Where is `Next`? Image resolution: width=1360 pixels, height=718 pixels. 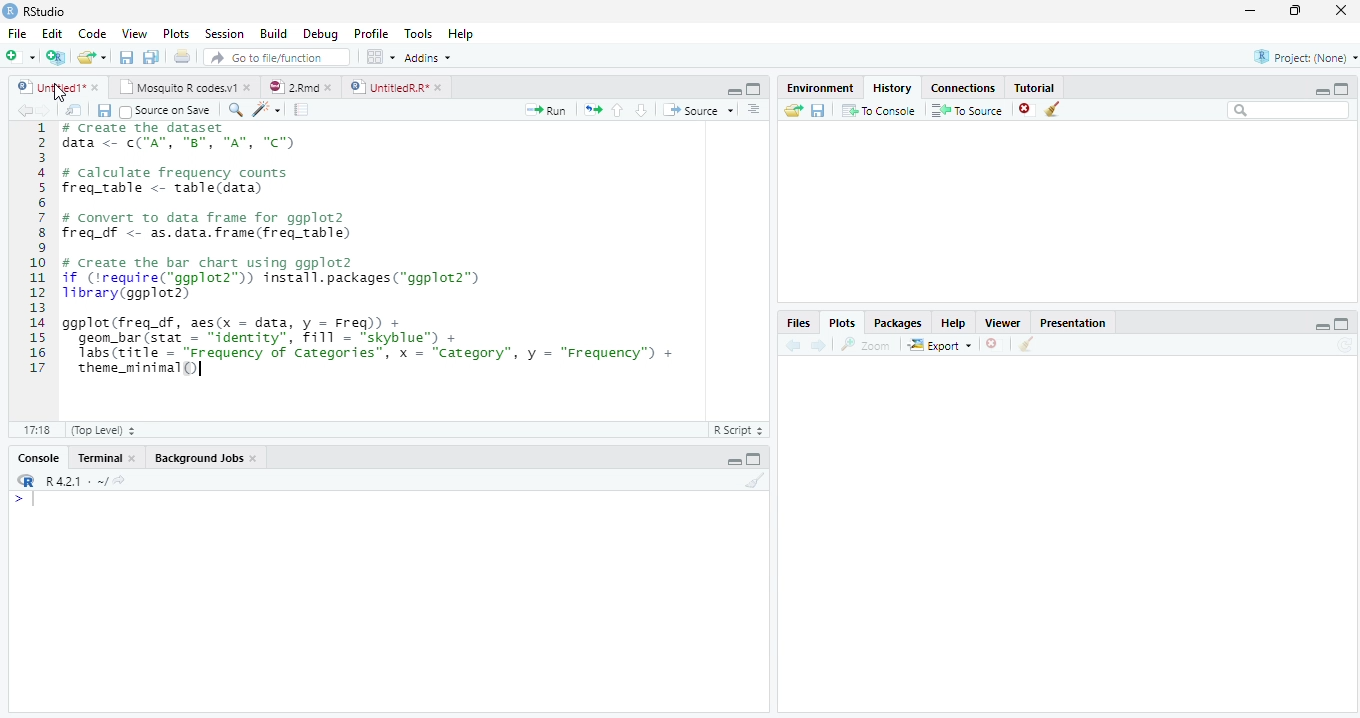
Next is located at coordinates (820, 344).